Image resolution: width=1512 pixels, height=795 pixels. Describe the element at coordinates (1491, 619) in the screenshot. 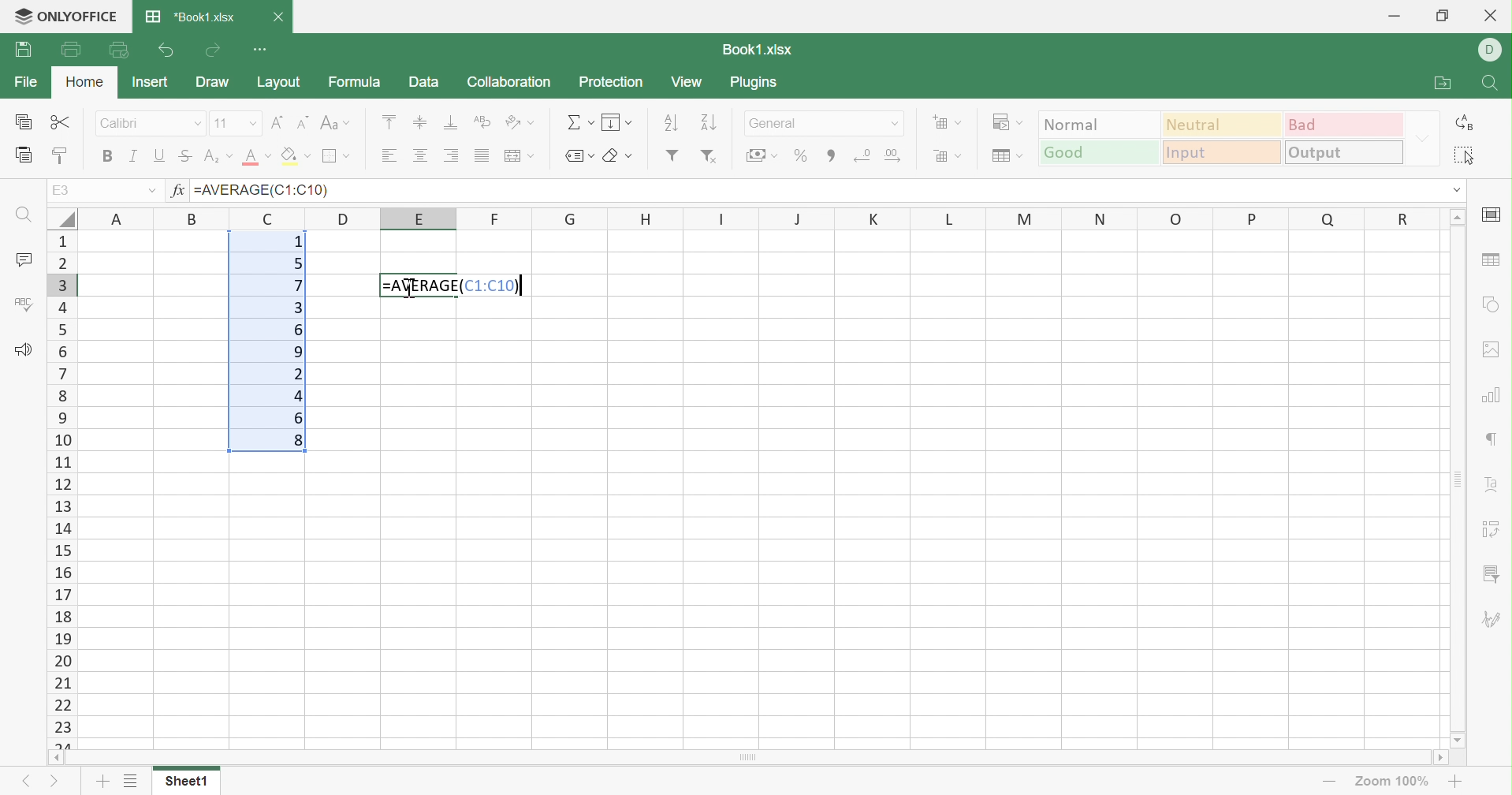

I see `Signature settings` at that location.